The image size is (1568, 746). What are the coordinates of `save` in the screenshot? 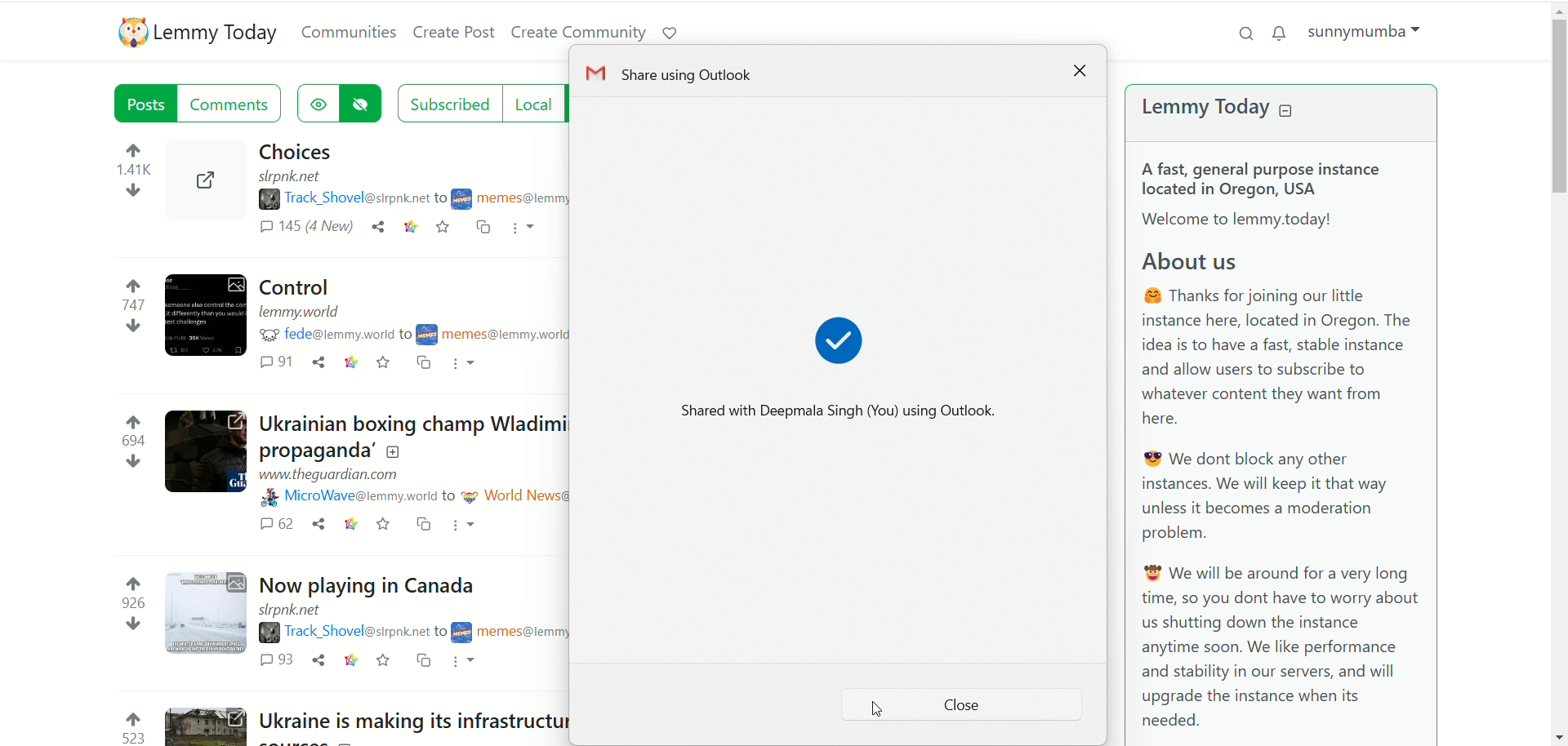 It's located at (382, 525).